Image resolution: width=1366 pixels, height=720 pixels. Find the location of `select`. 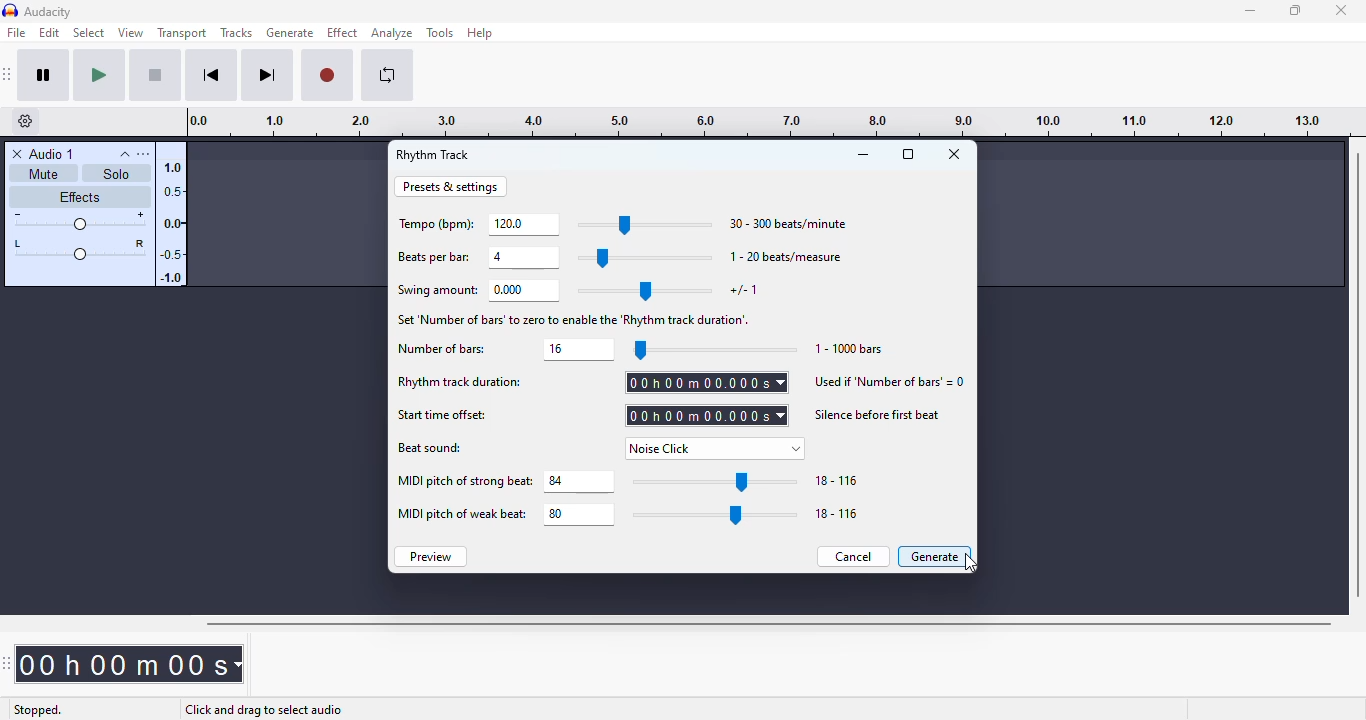

select is located at coordinates (89, 32).